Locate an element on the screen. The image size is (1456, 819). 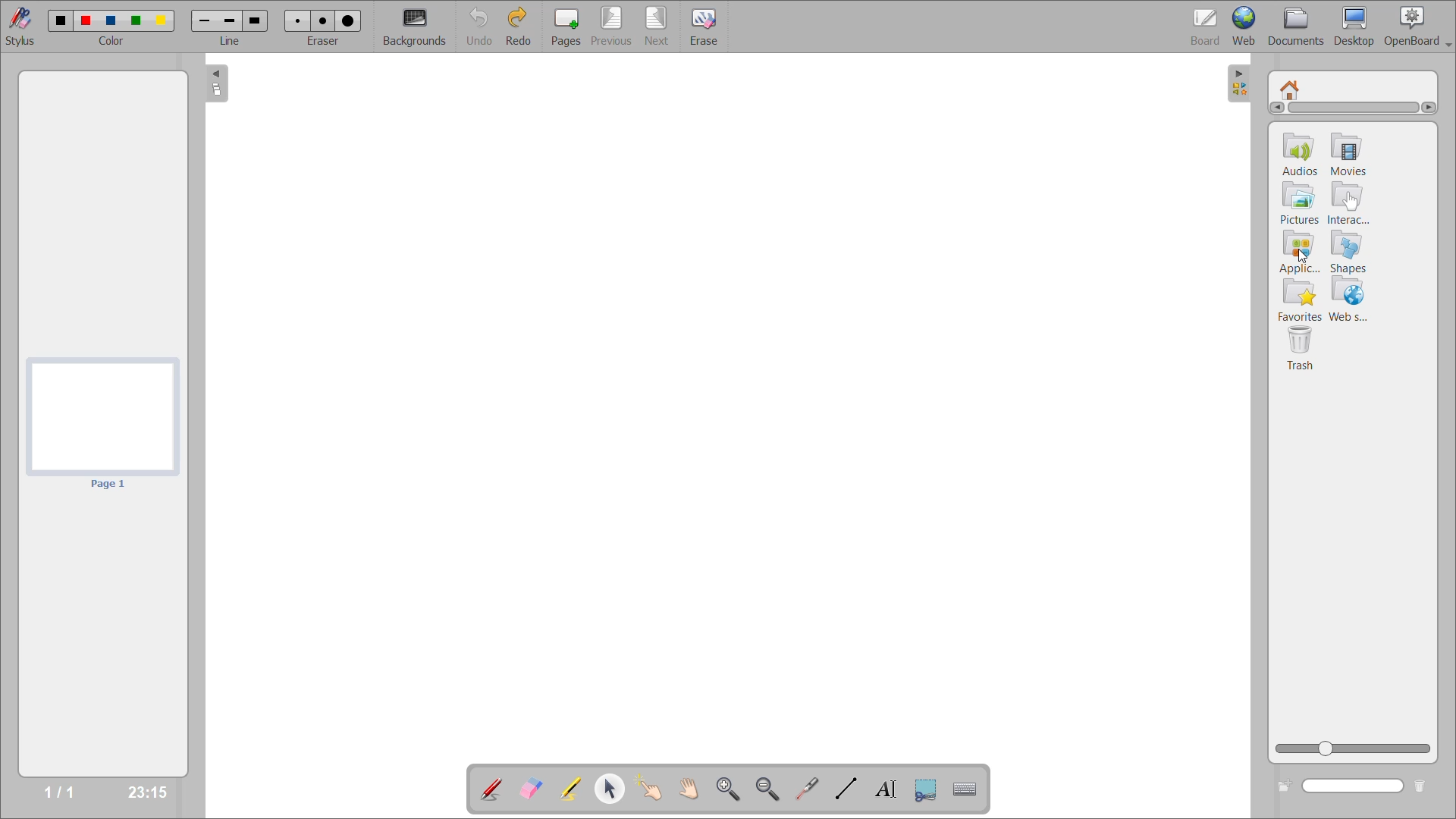
next is located at coordinates (659, 24).